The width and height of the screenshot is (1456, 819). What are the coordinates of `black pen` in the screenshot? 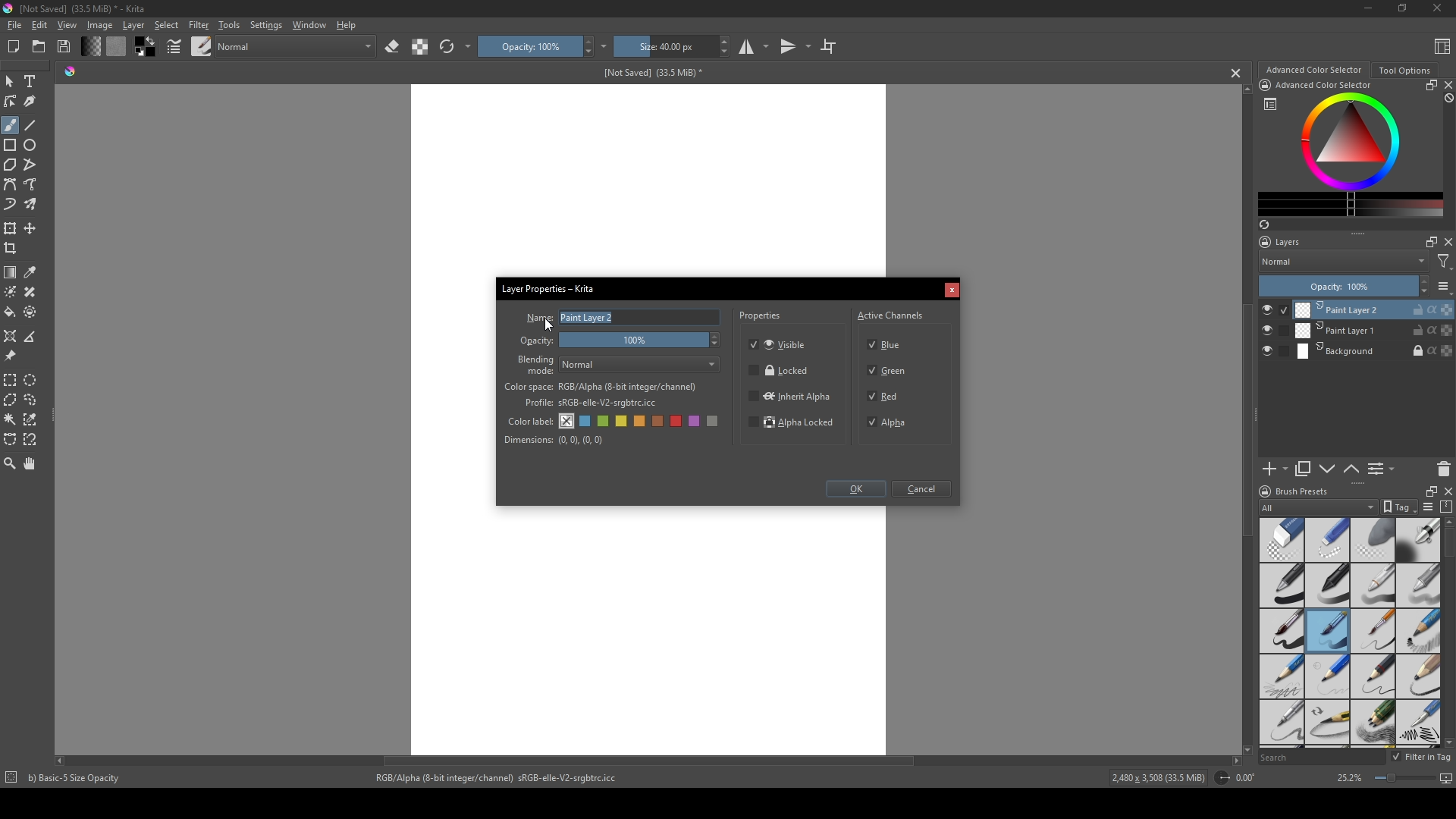 It's located at (1328, 585).